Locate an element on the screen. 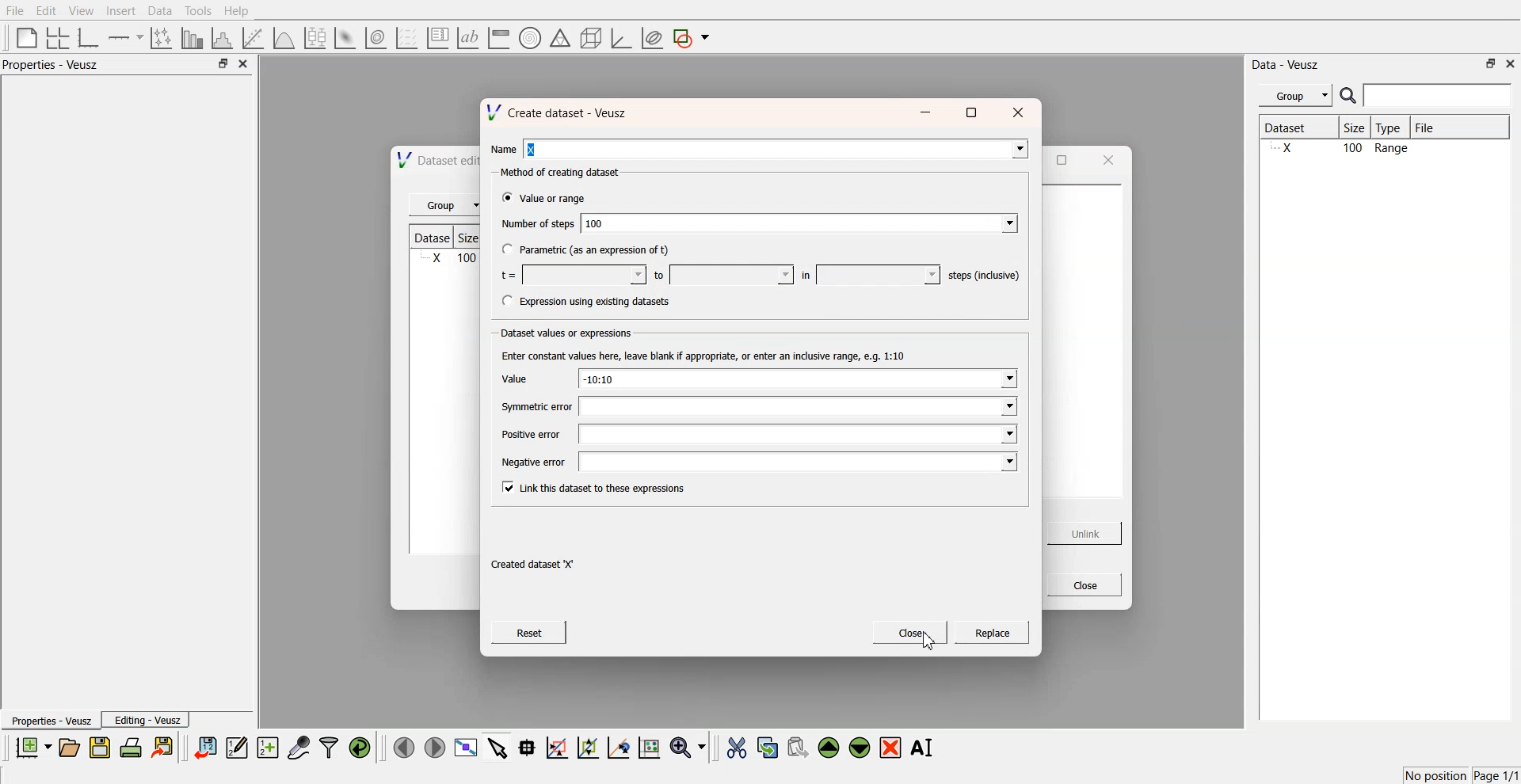  Create is located at coordinates (993, 634).